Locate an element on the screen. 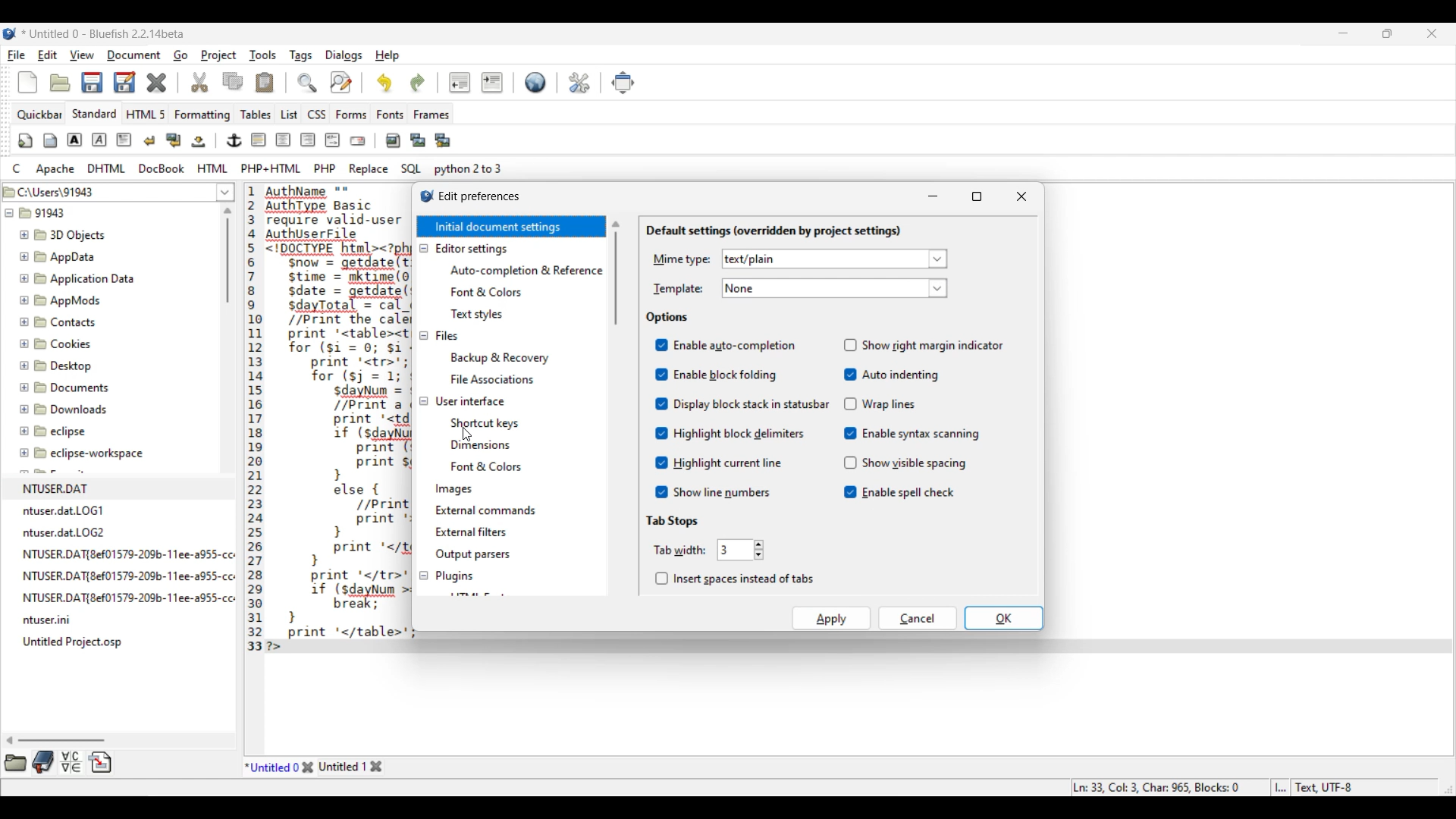  Code alnguage options is located at coordinates (256, 168).